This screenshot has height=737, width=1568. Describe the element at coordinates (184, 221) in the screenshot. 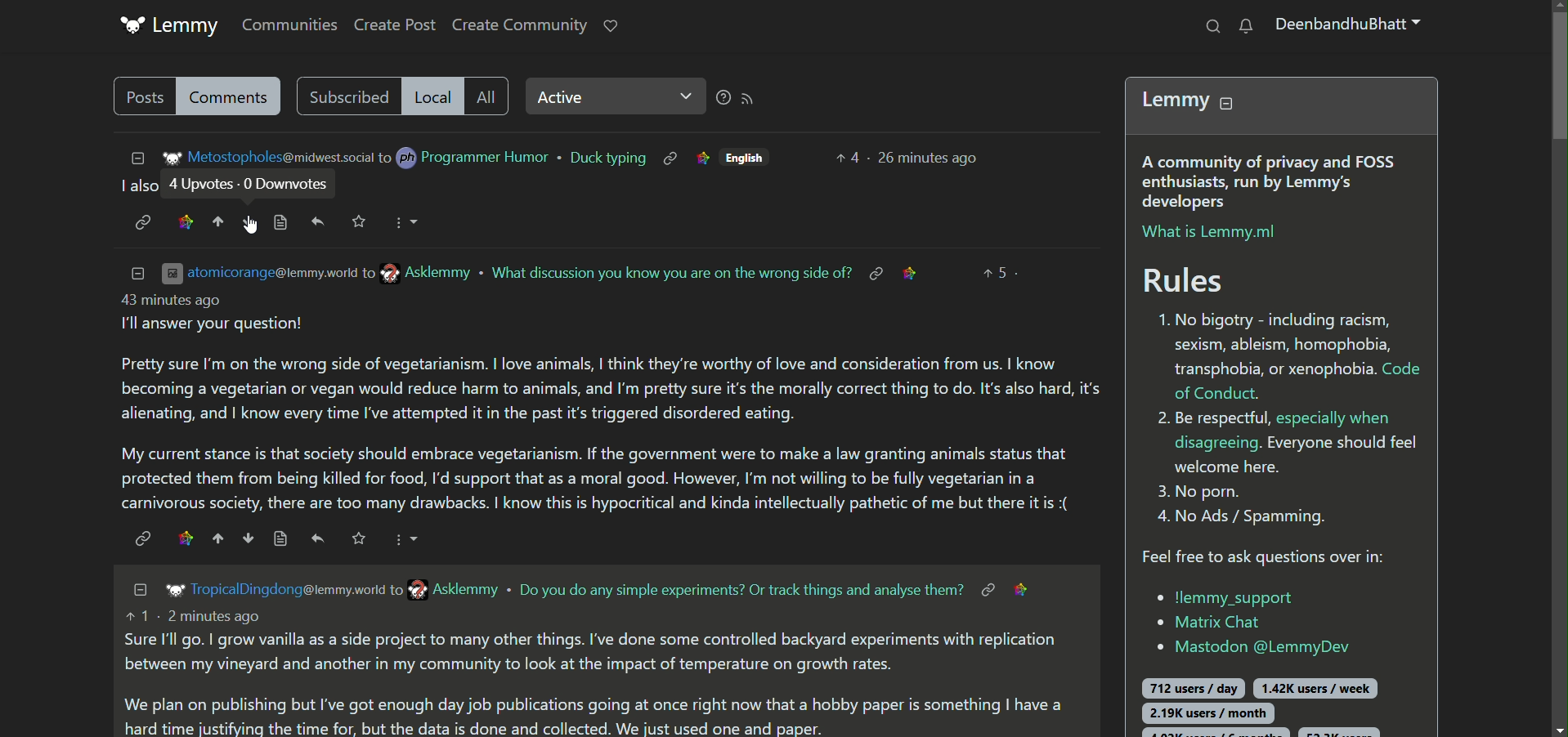

I see `highlight` at that location.